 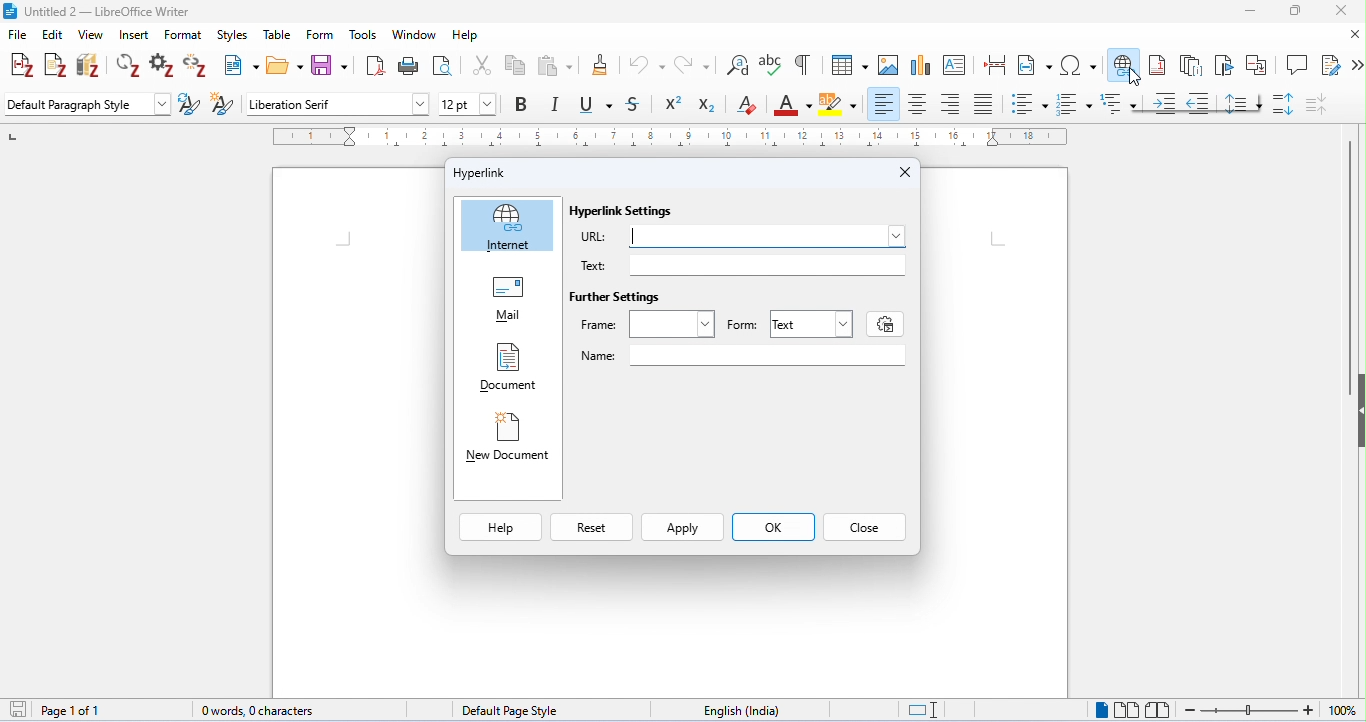 I want to click on undo, so click(x=647, y=65).